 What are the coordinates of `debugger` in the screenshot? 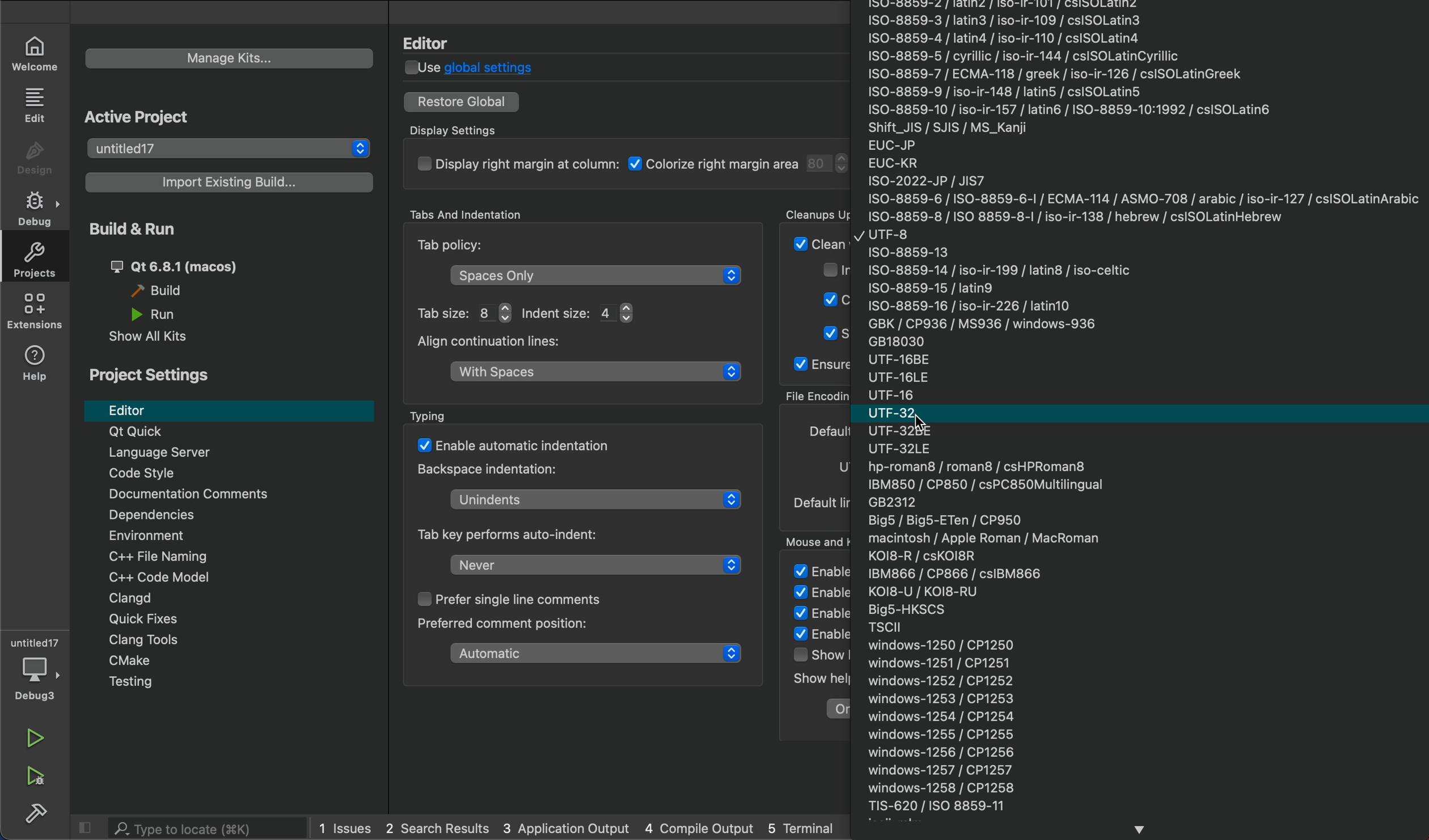 It's located at (36, 670).